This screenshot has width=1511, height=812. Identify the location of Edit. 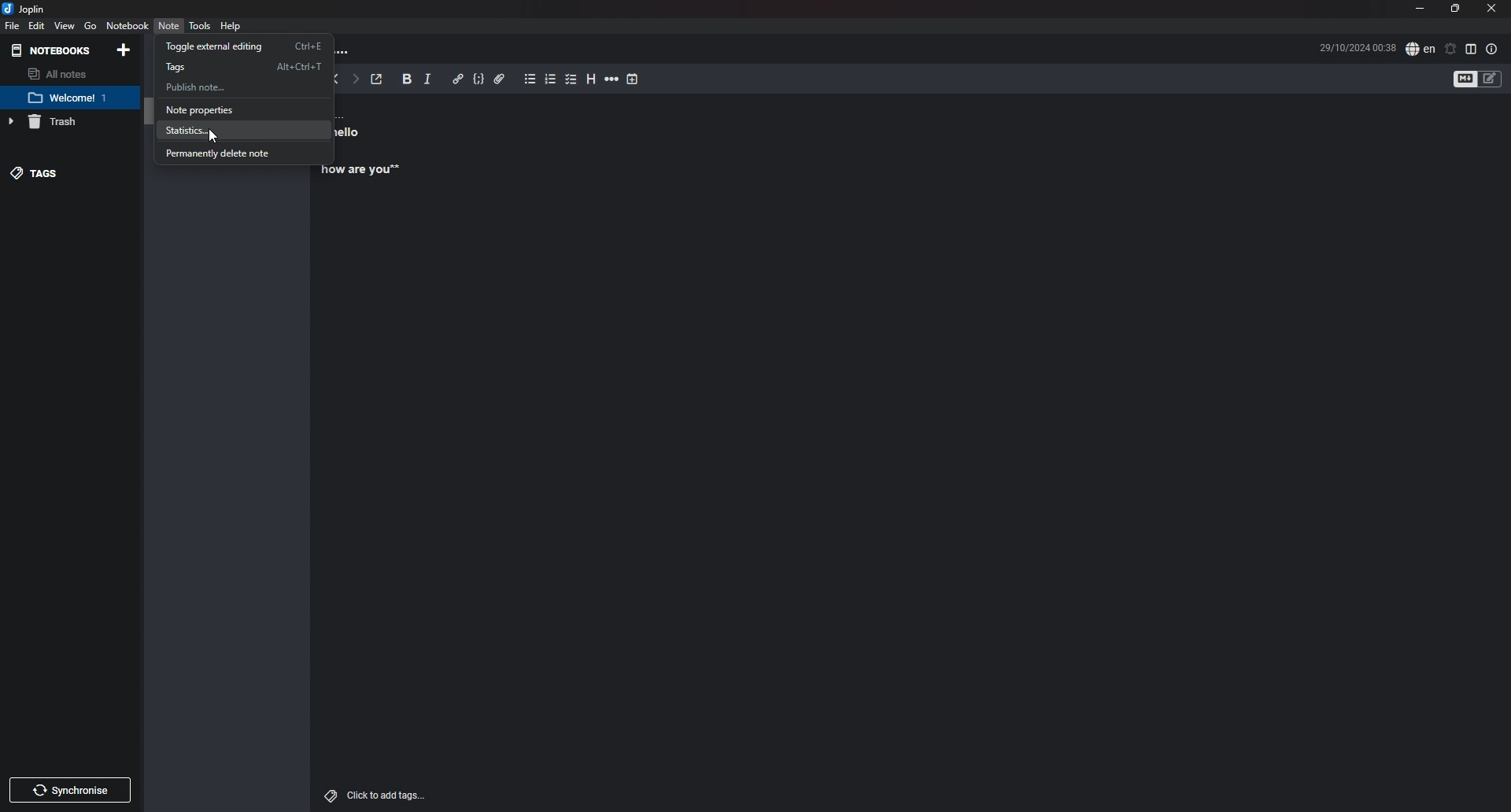
(38, 24).